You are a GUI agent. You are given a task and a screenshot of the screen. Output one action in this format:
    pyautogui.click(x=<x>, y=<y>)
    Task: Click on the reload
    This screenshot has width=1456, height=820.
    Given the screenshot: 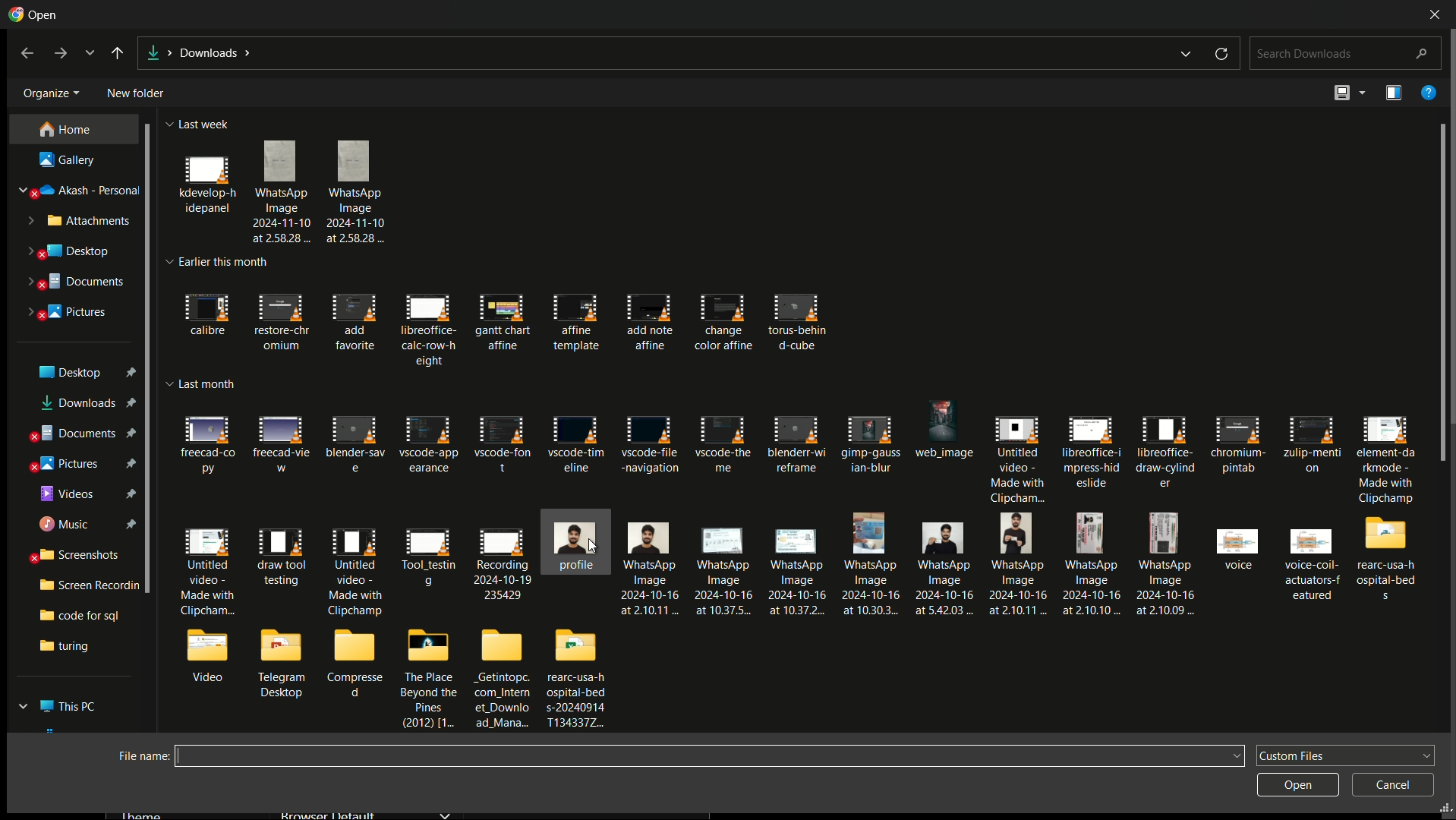 What is the action you would take?
    pyautogui.click(x=1223, y=55)
    